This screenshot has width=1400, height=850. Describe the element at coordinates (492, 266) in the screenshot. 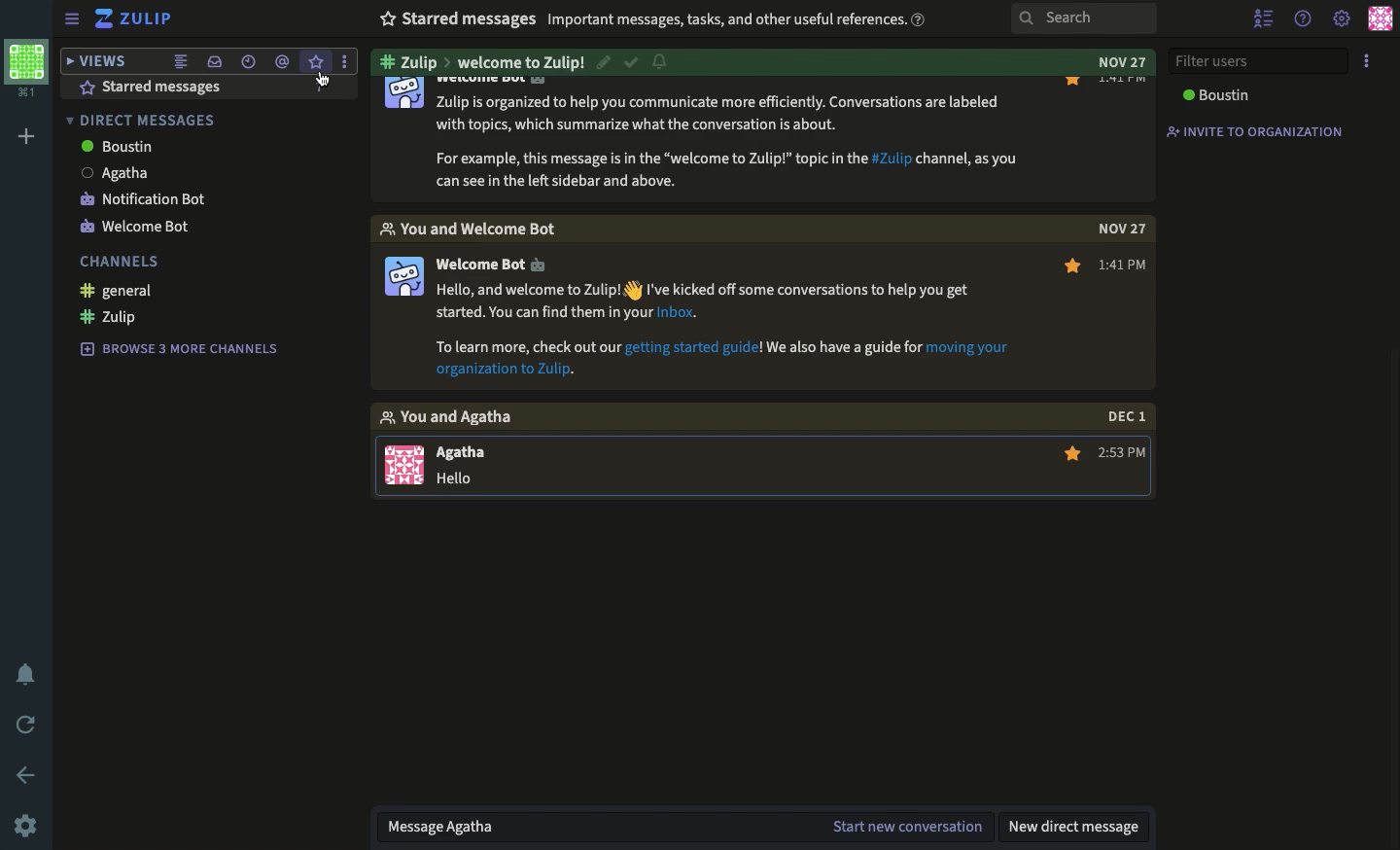

I see `Welcome Bot` at that location.